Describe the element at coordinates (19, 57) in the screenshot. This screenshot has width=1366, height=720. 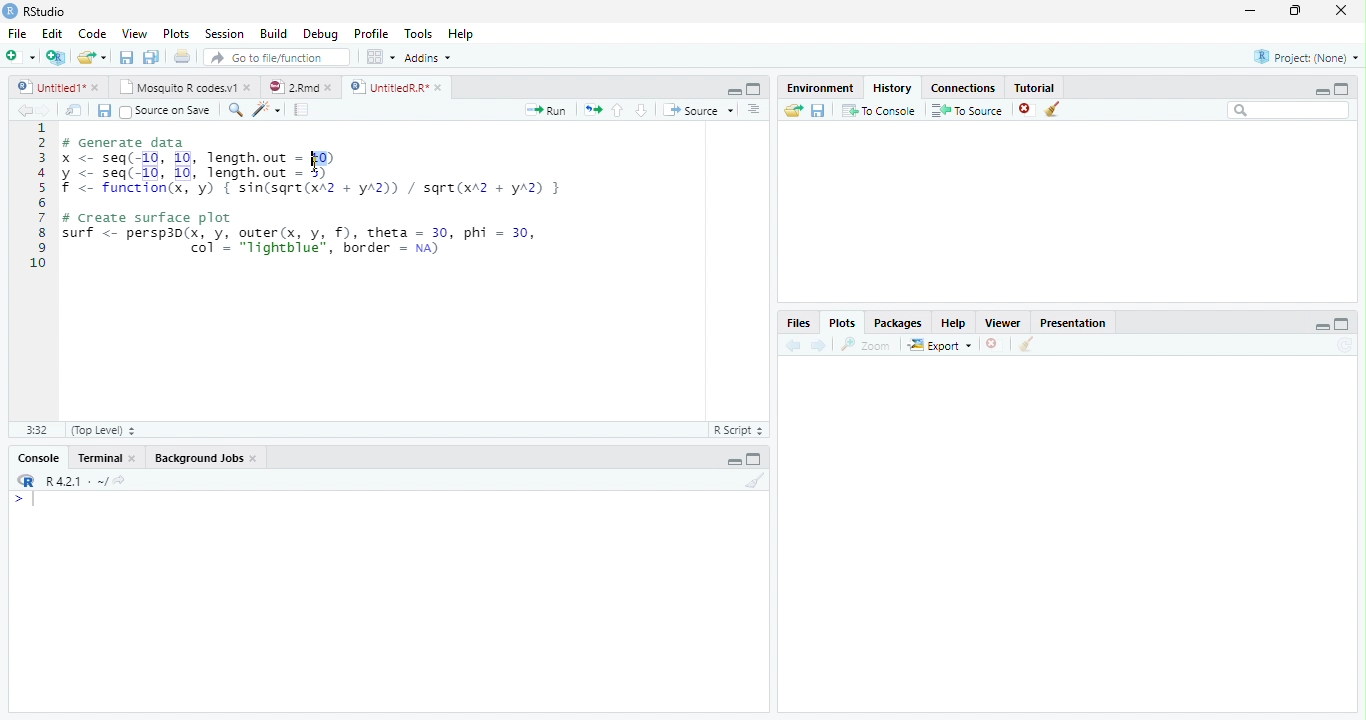
I see `New file` at that location.